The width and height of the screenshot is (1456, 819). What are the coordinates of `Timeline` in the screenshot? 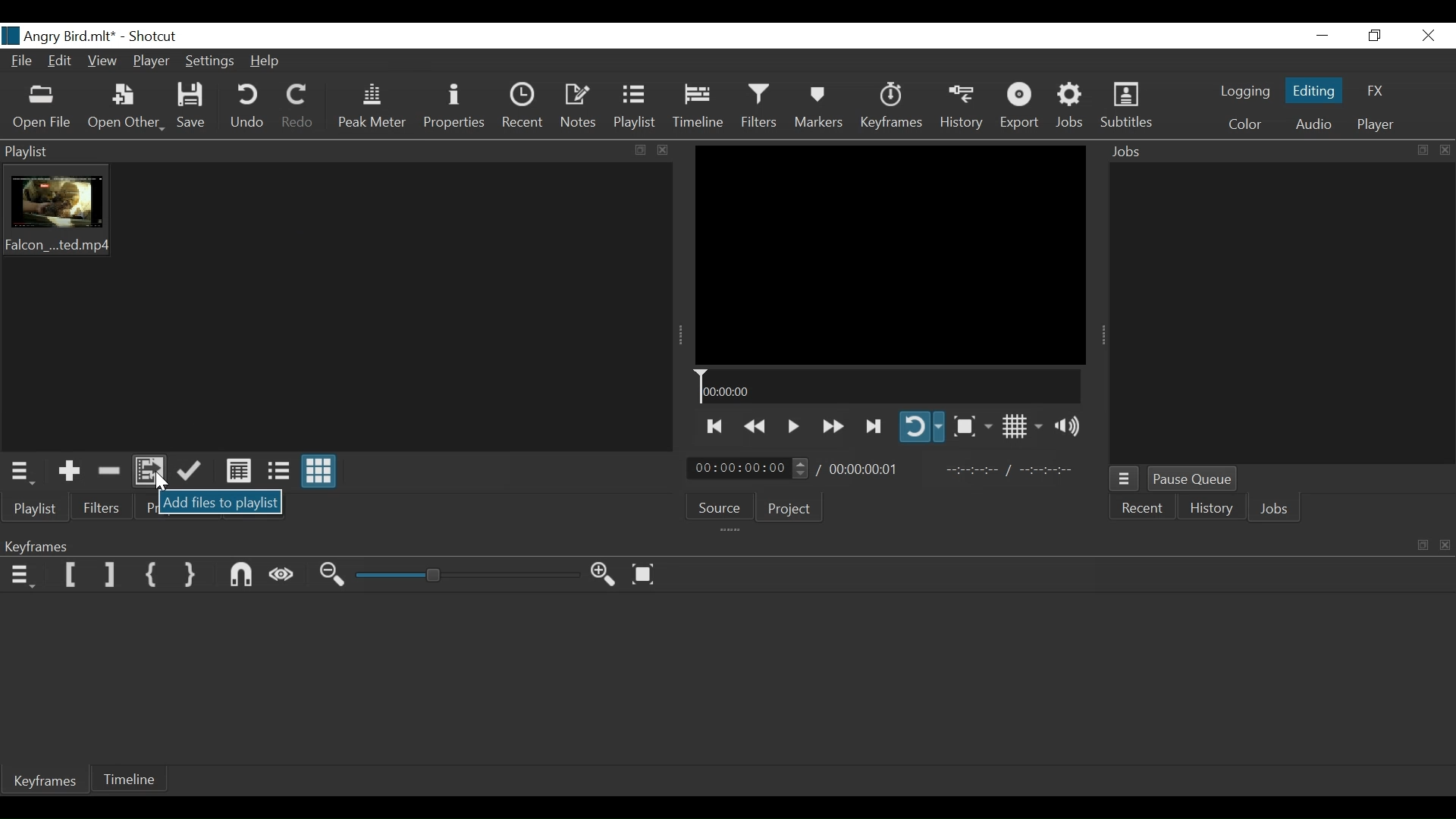 It's located at (702, 108).